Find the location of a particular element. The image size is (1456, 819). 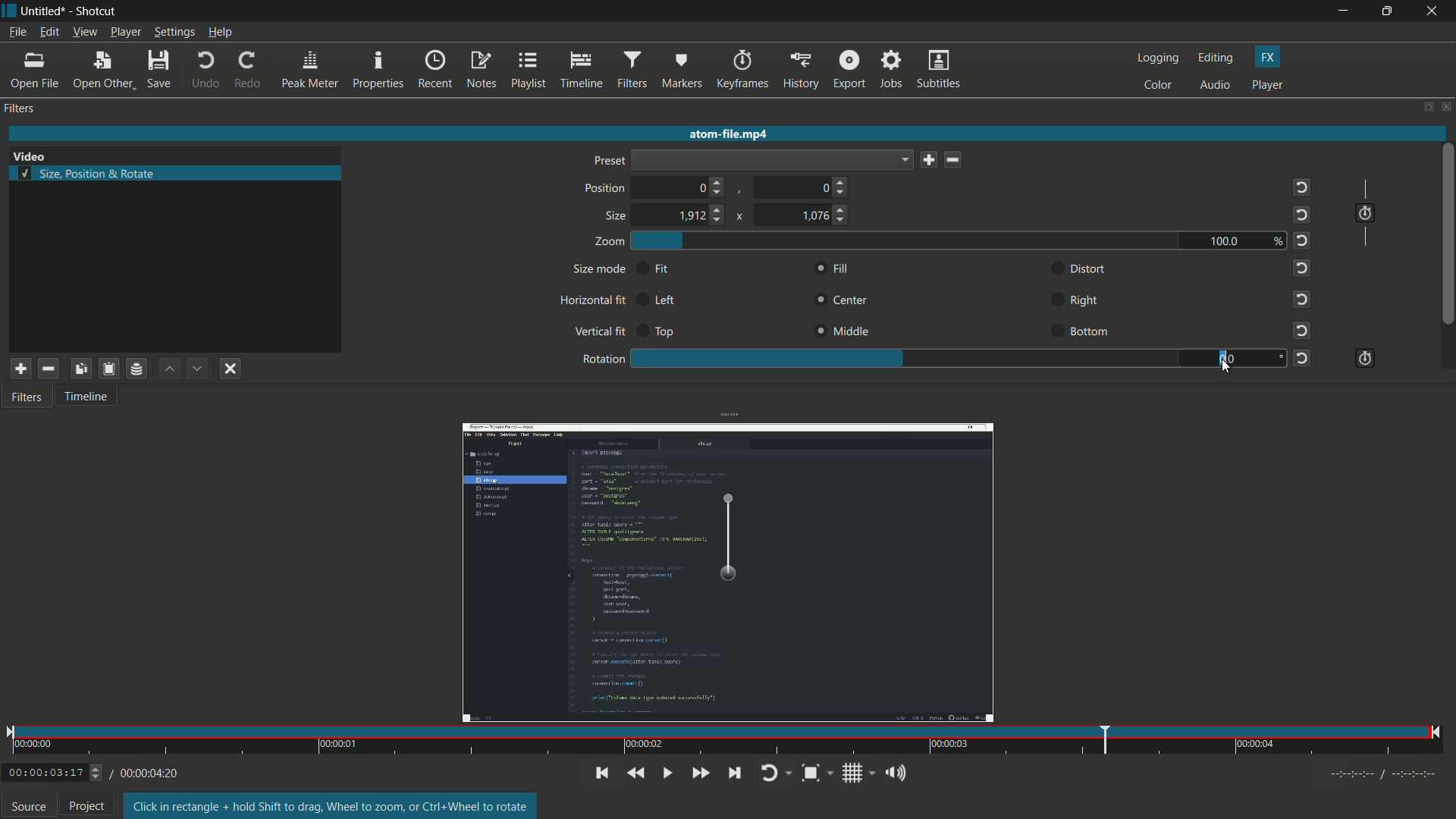

color is located at coordinates (1161, 86).